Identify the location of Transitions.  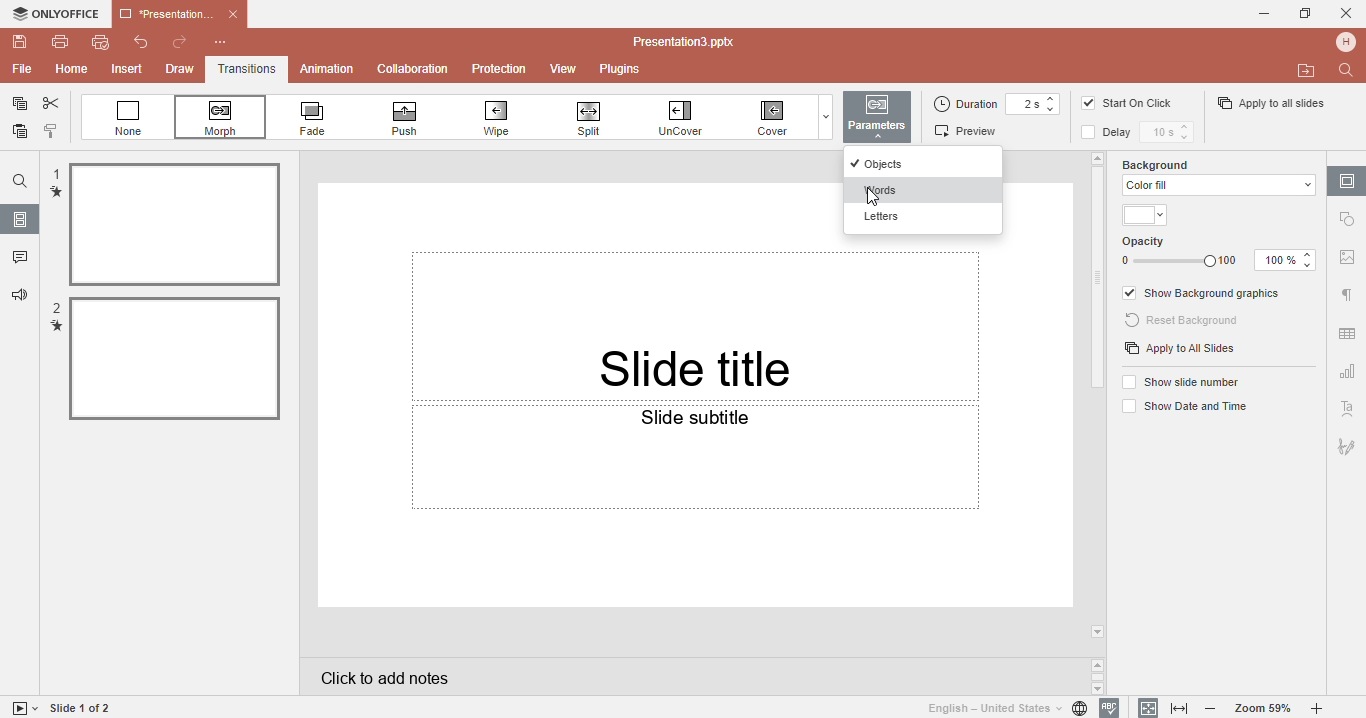
(247, 70).